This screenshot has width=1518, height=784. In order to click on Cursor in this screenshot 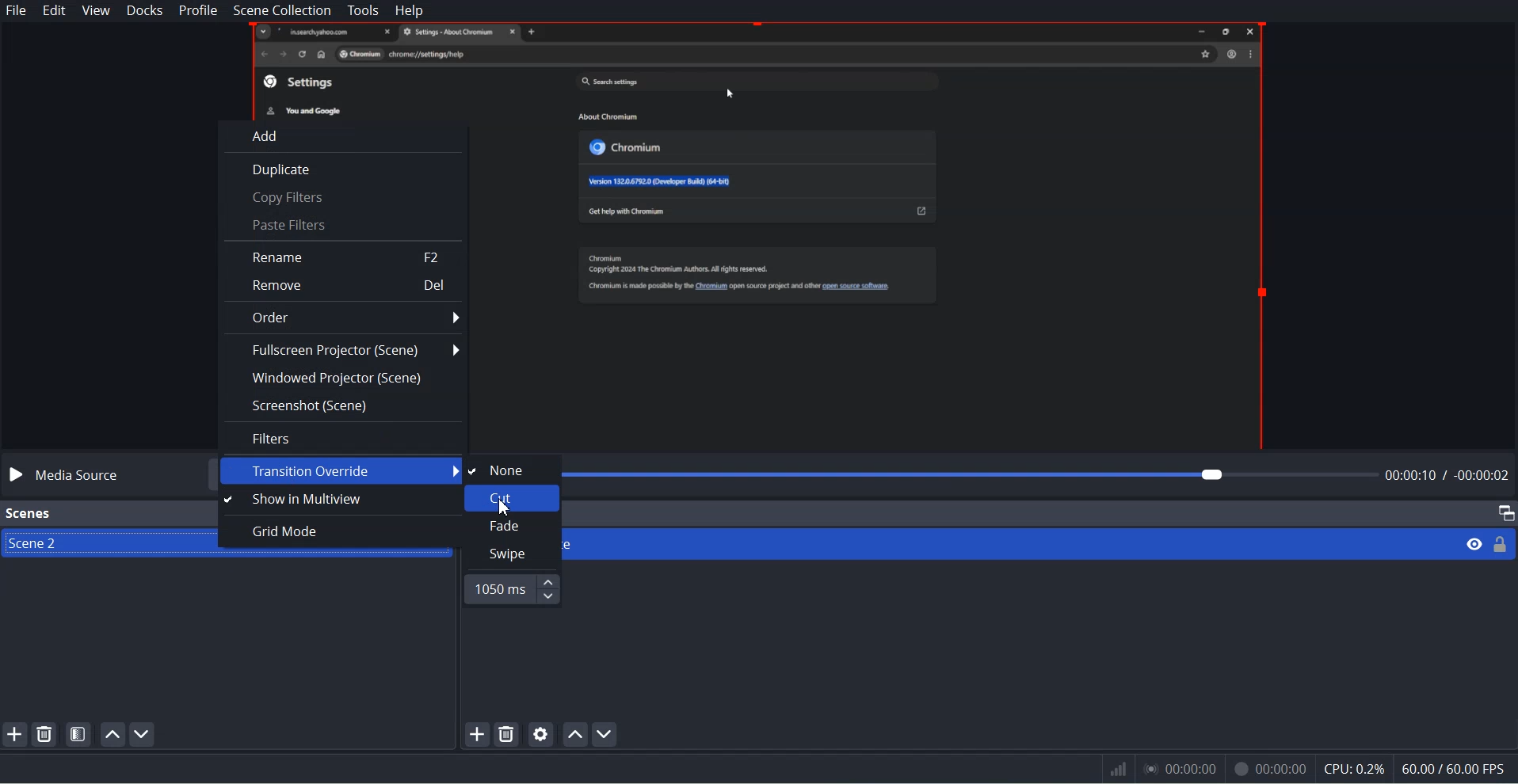, I will do `click(505, 507)`.